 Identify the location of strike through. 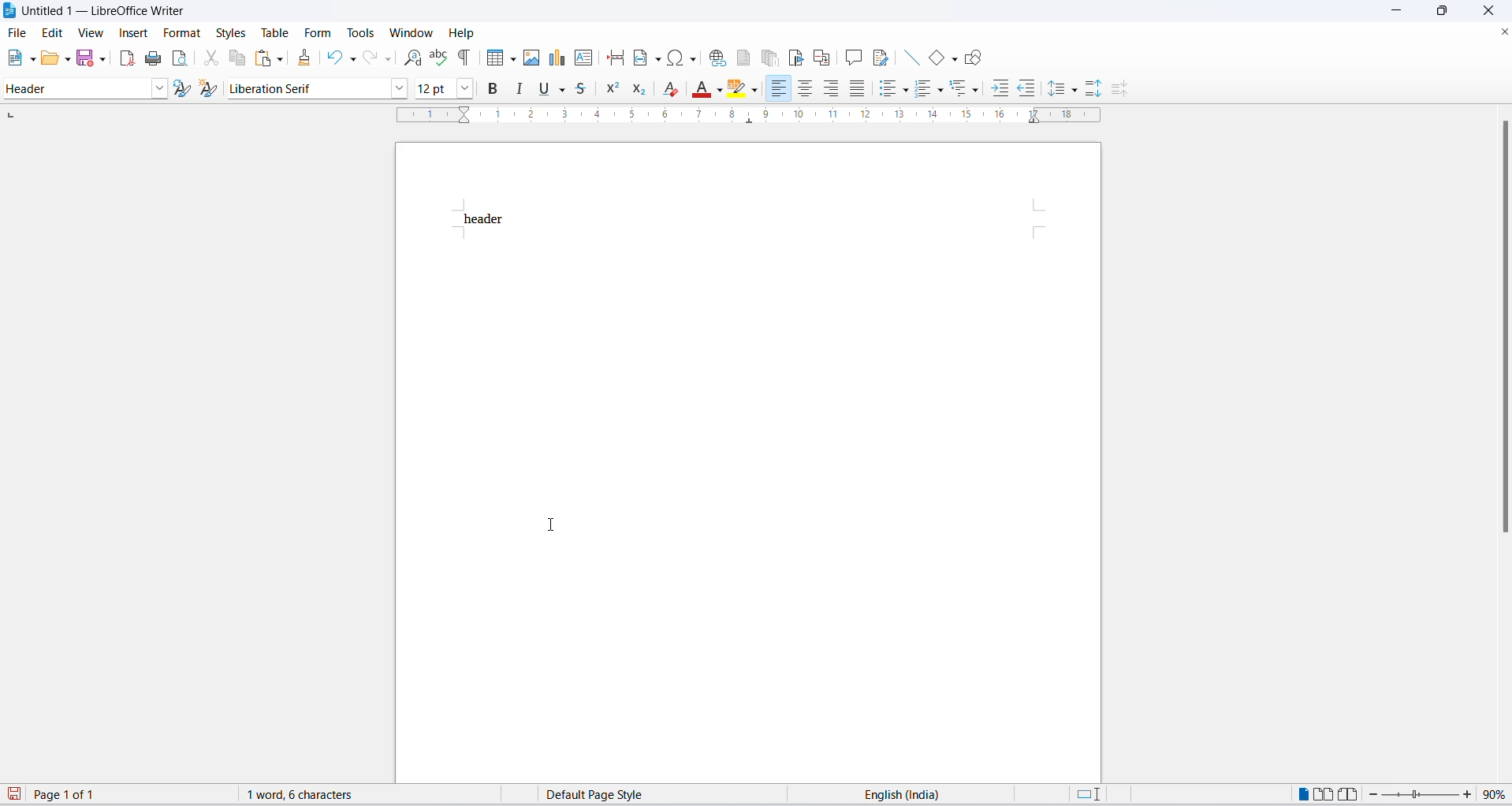
(587, 88).